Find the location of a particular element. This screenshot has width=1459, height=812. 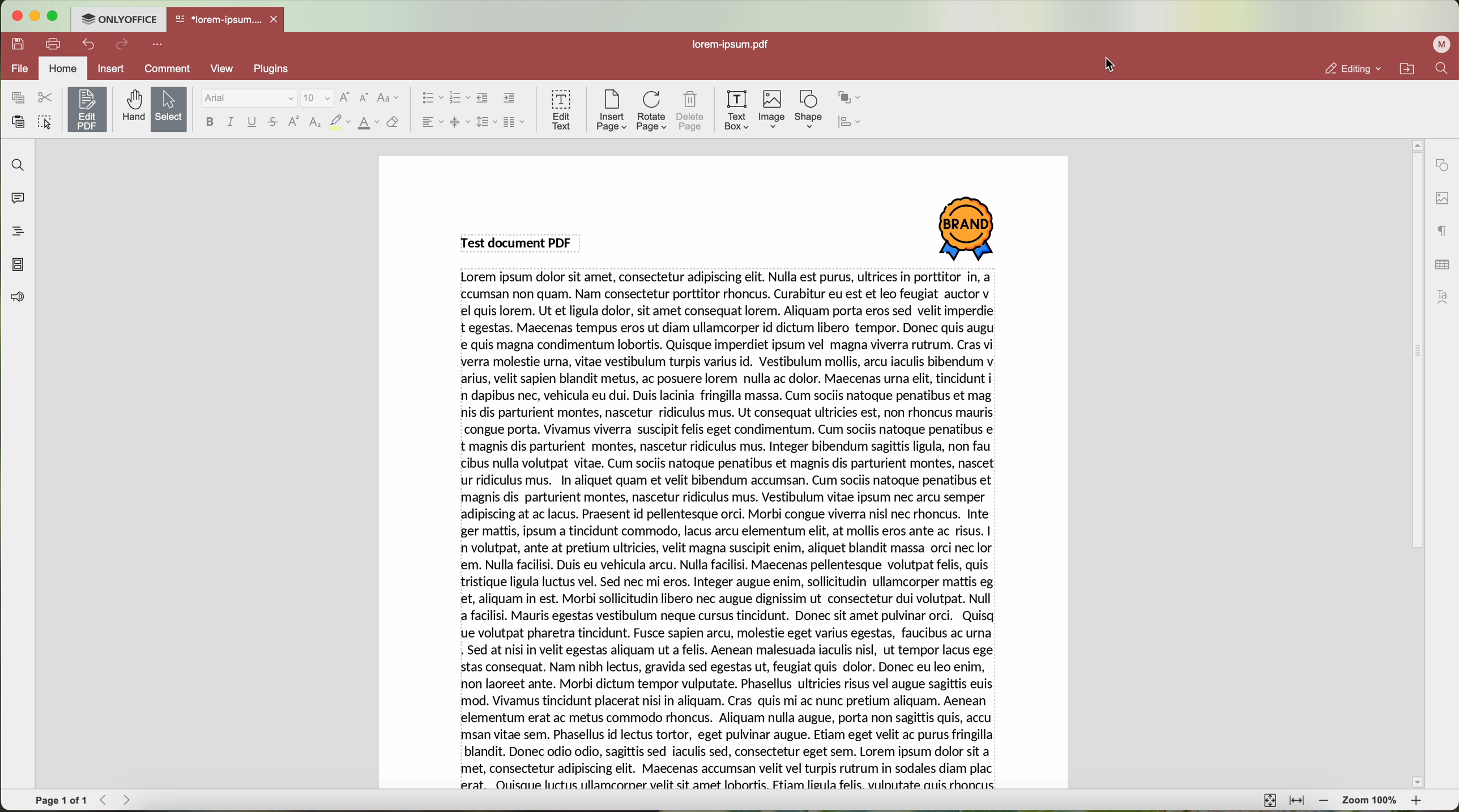

find is located at coordinates (1441, 68).